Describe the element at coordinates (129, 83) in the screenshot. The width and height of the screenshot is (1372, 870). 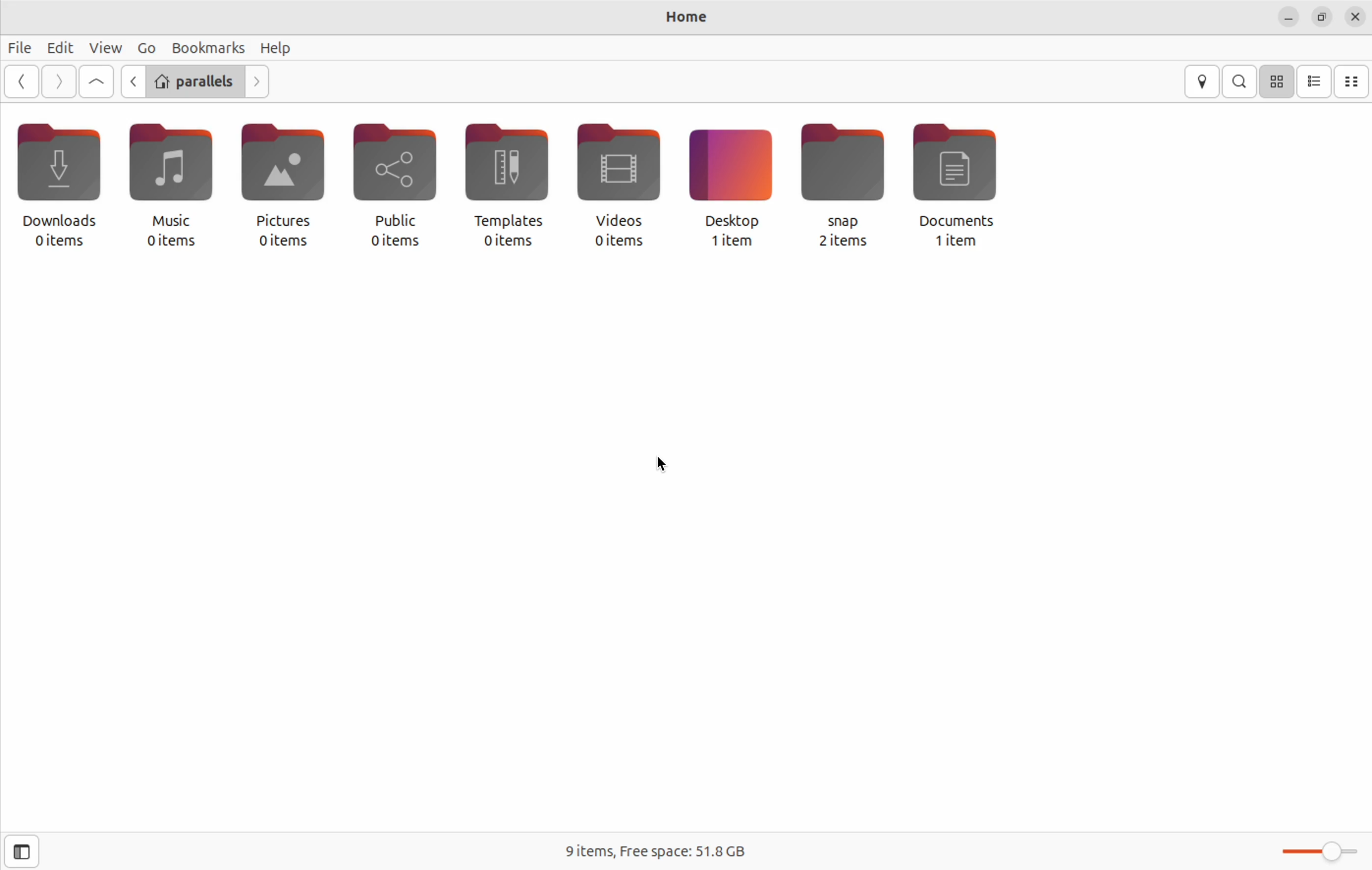
I see `G previous` at that location.